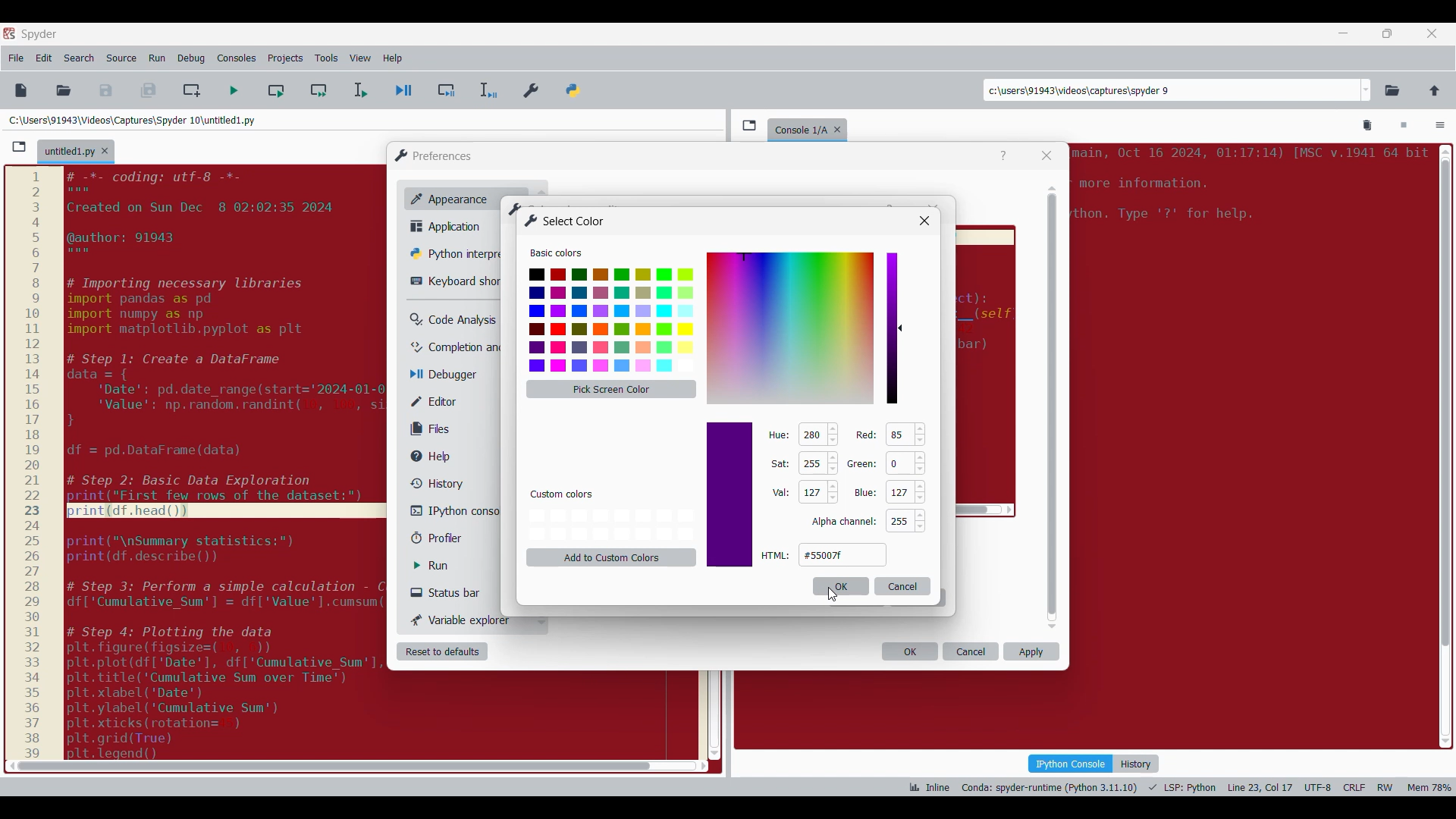  What do you see at coordinates (32, 463) in the screenshot?
I see `scale` at bounding box center [32, 463].